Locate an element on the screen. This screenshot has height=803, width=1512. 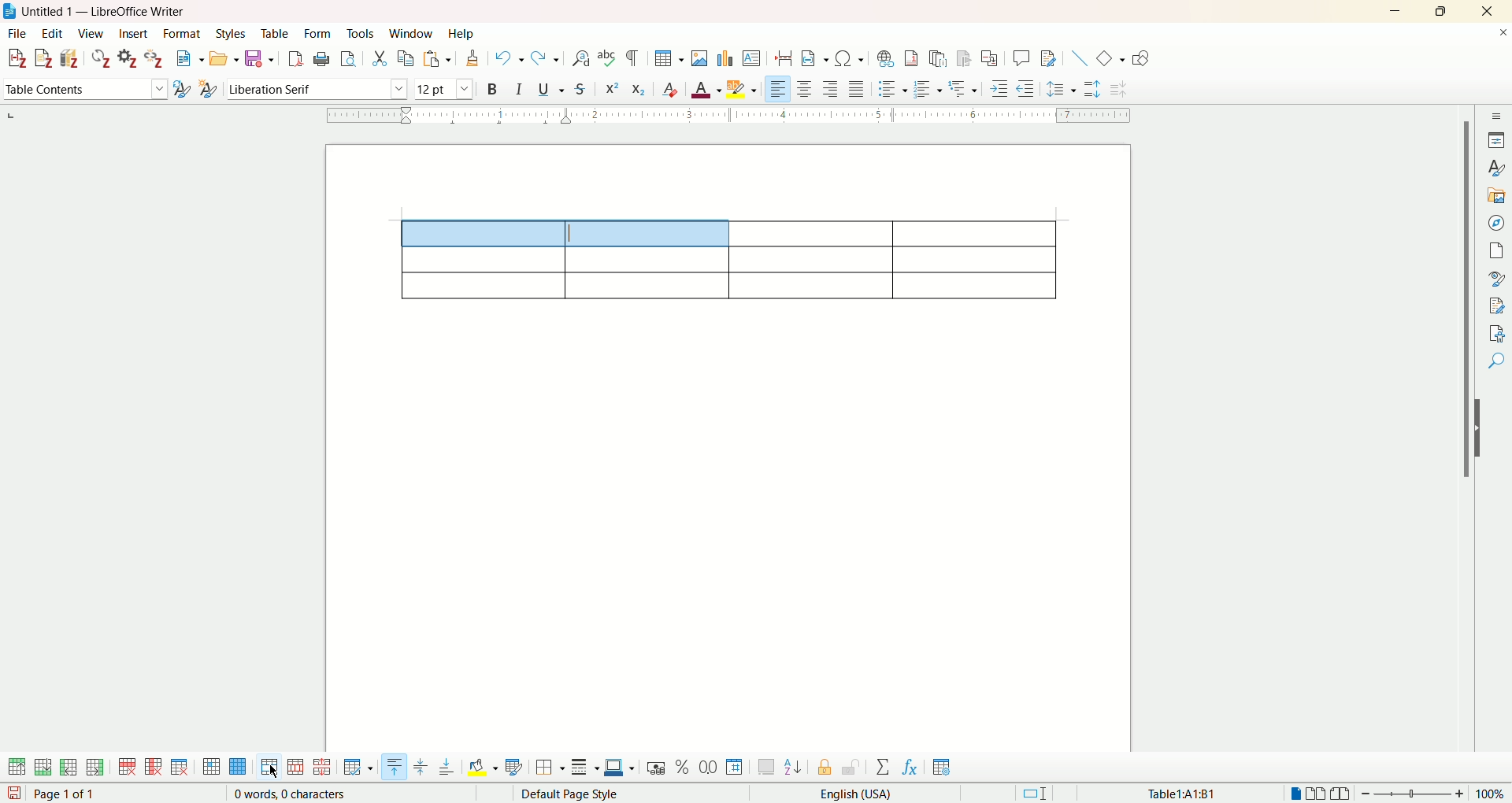
page 1 of 1 is located at coordinates (80, 794).